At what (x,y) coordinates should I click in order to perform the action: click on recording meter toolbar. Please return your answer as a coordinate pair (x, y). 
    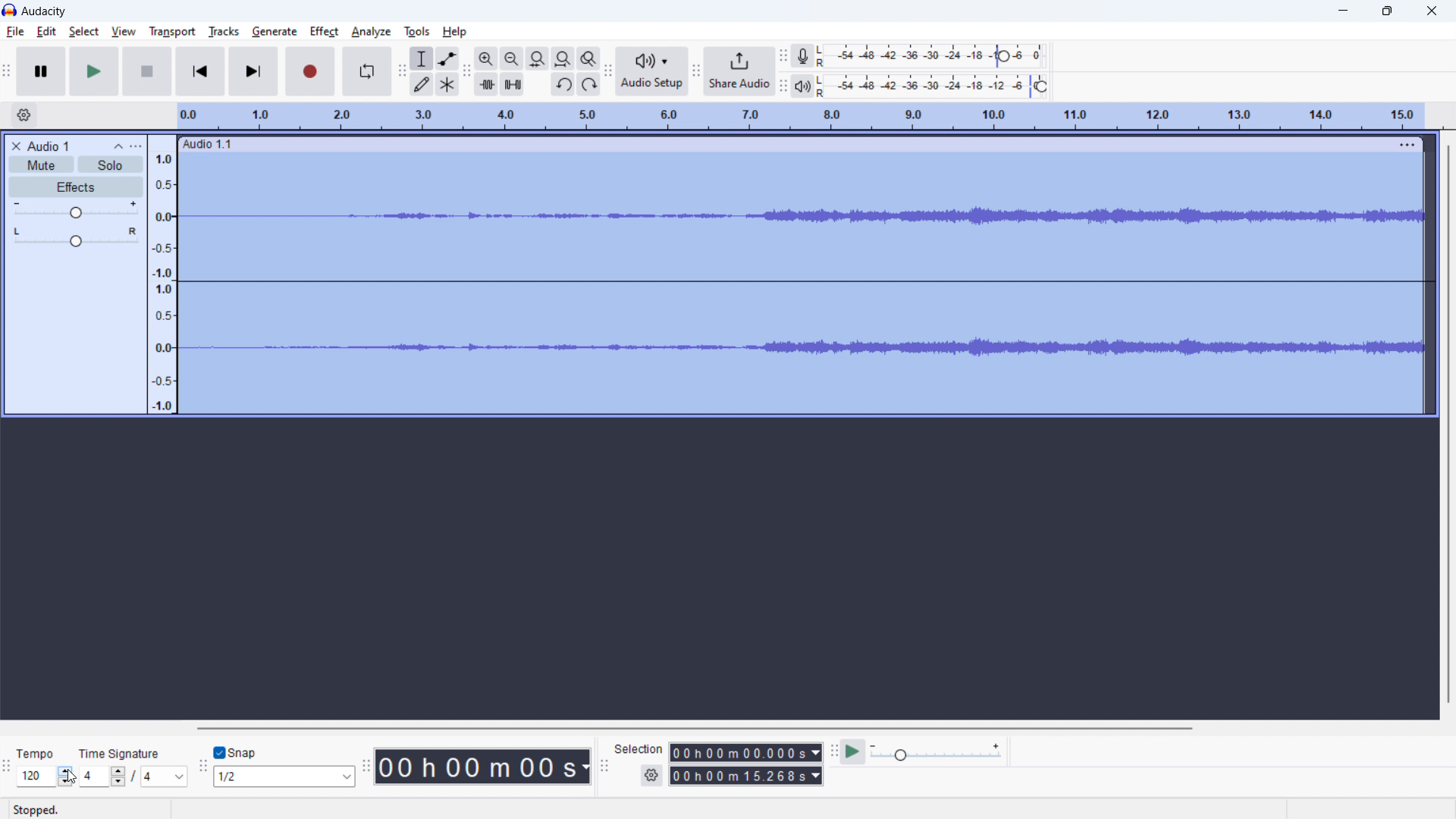
    Looking at the image, I should click on (783, 87).